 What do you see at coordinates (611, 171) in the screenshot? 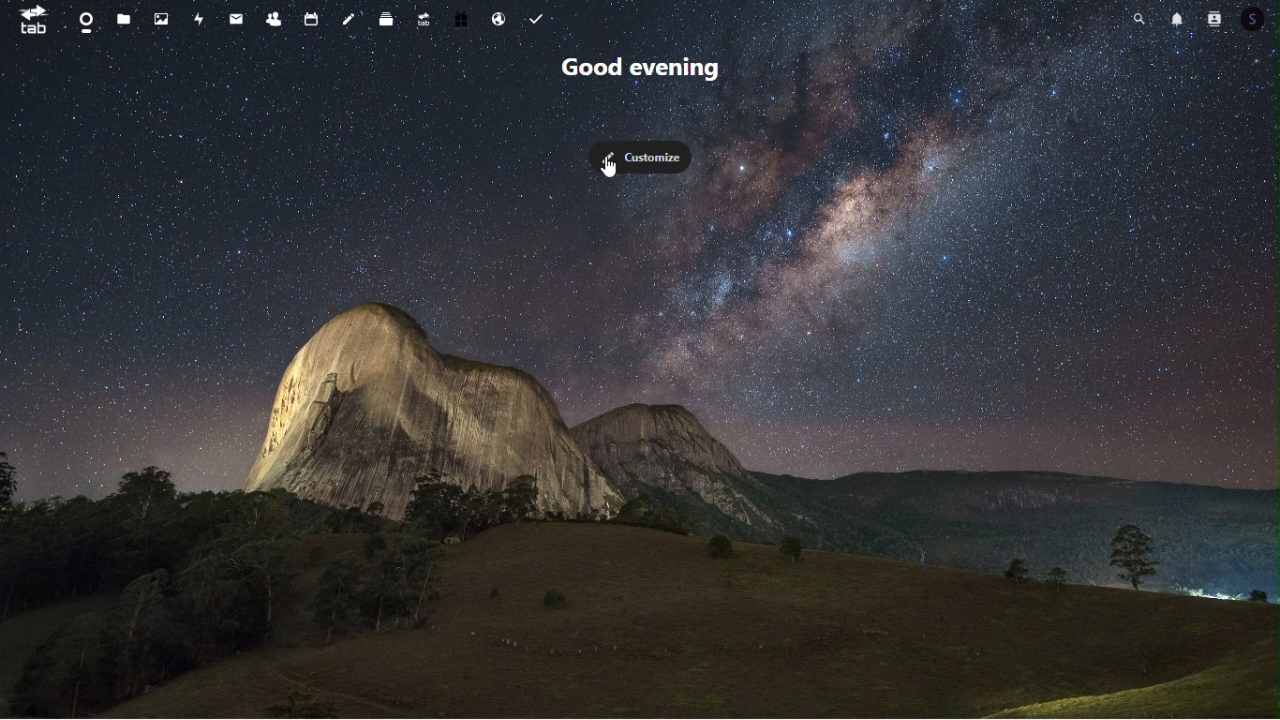
I see `Cursor` at bounding box center [611, 171].